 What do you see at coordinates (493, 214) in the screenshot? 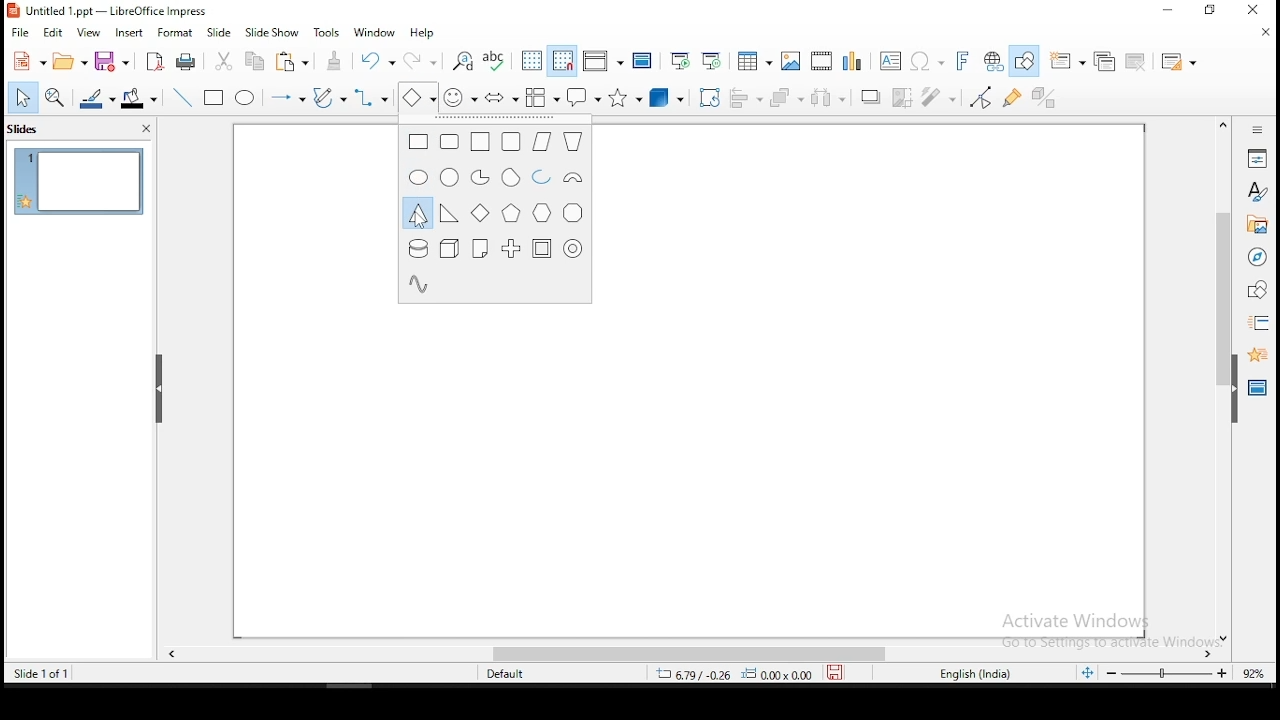
I see `Shapes` at bounding box center [493, 214].